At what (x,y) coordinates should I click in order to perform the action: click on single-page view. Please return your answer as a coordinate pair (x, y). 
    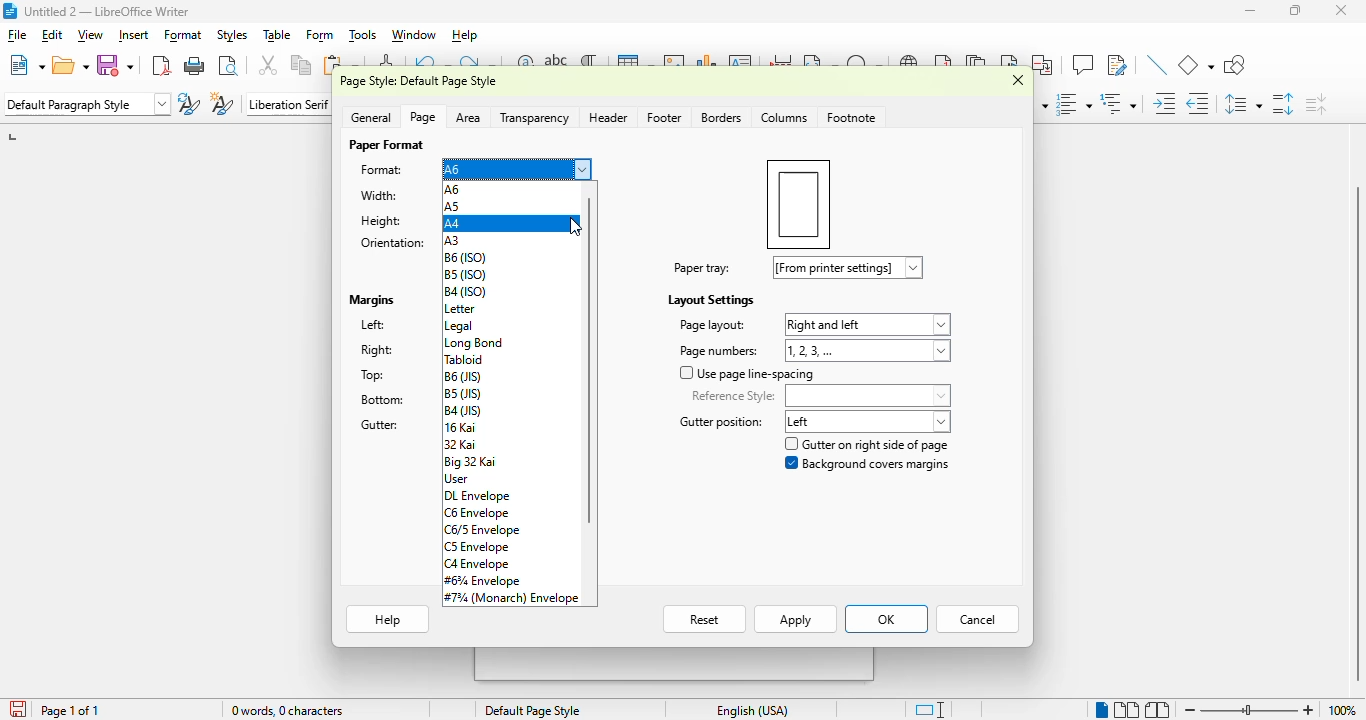
    Looking at the image, I should click on (1101, 710).